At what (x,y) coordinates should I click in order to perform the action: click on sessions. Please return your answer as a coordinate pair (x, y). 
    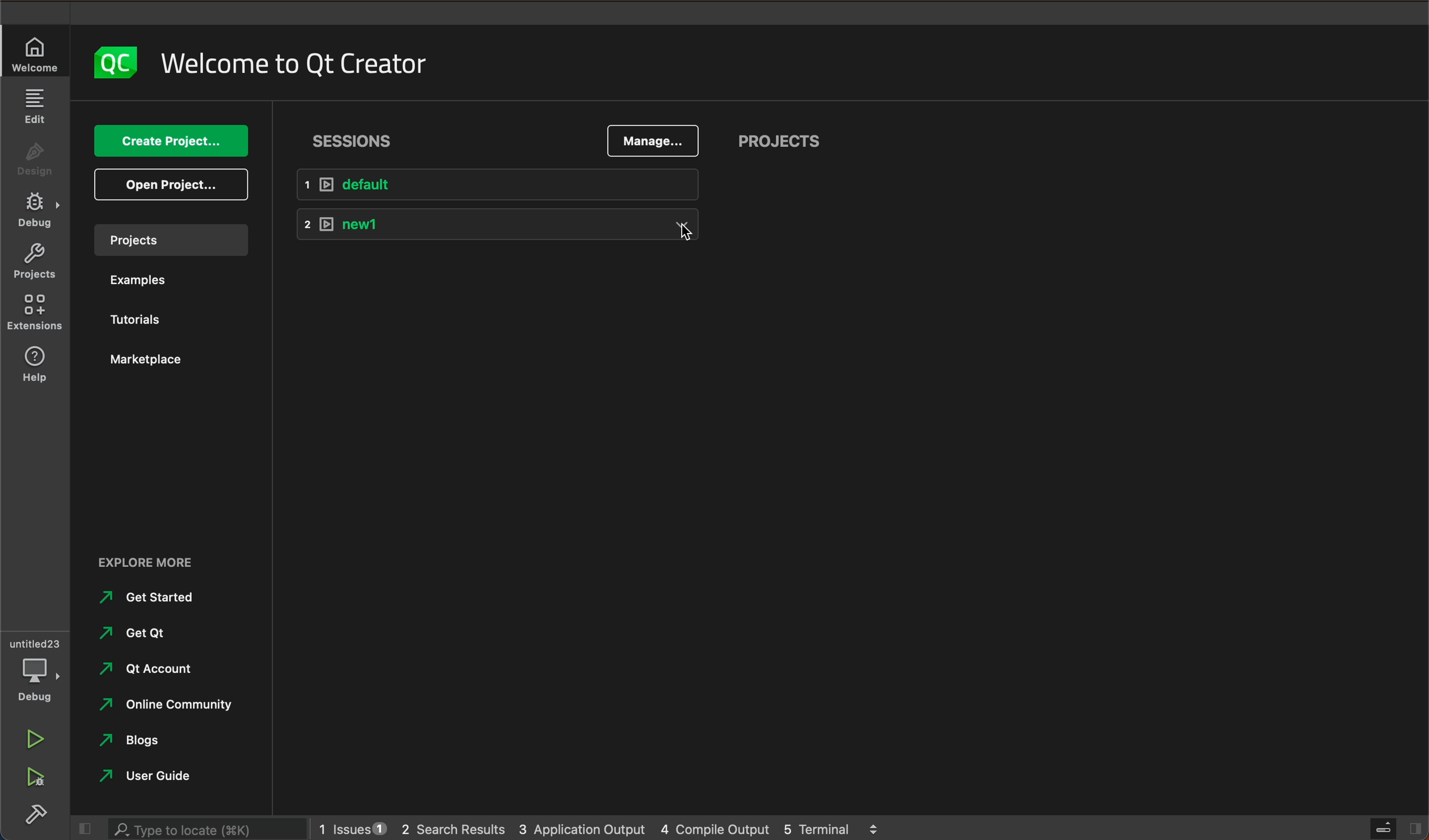
    Looking at the image, I should click on (358, 137).